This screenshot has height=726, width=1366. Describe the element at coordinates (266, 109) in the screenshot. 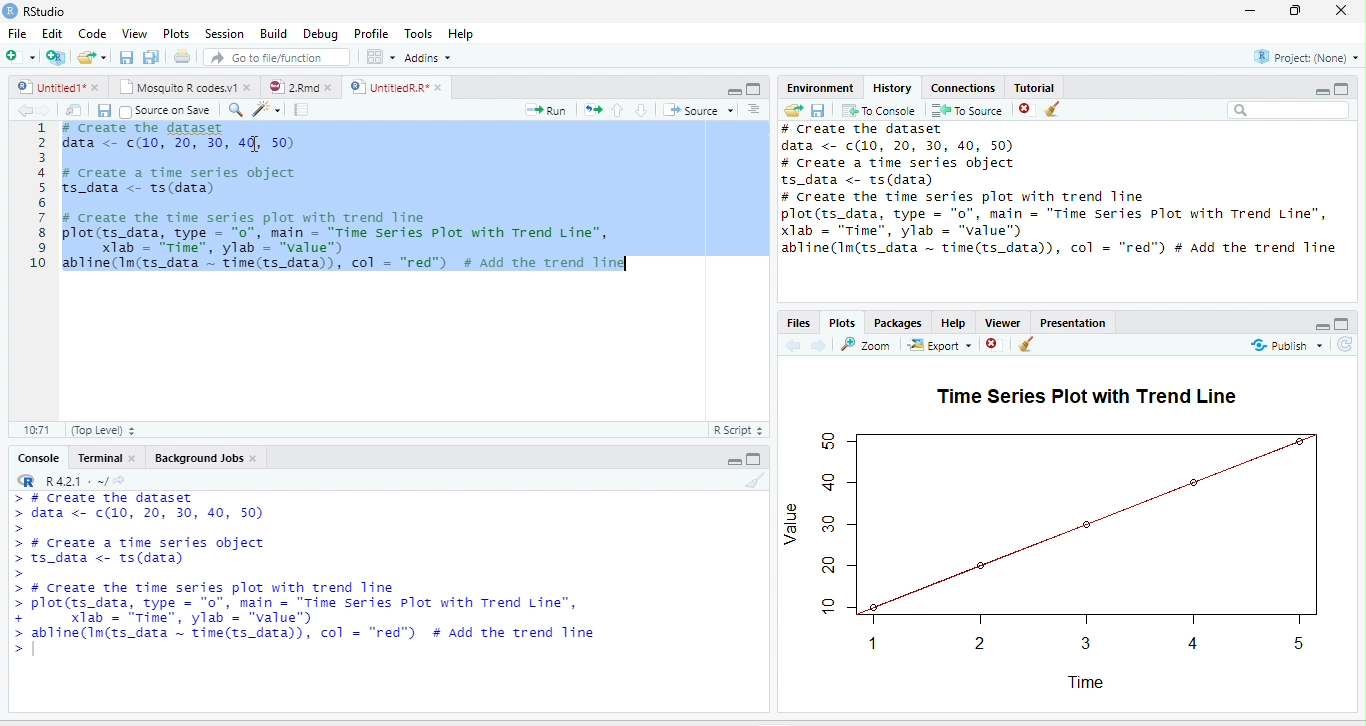

I see `Code tools` at that location.